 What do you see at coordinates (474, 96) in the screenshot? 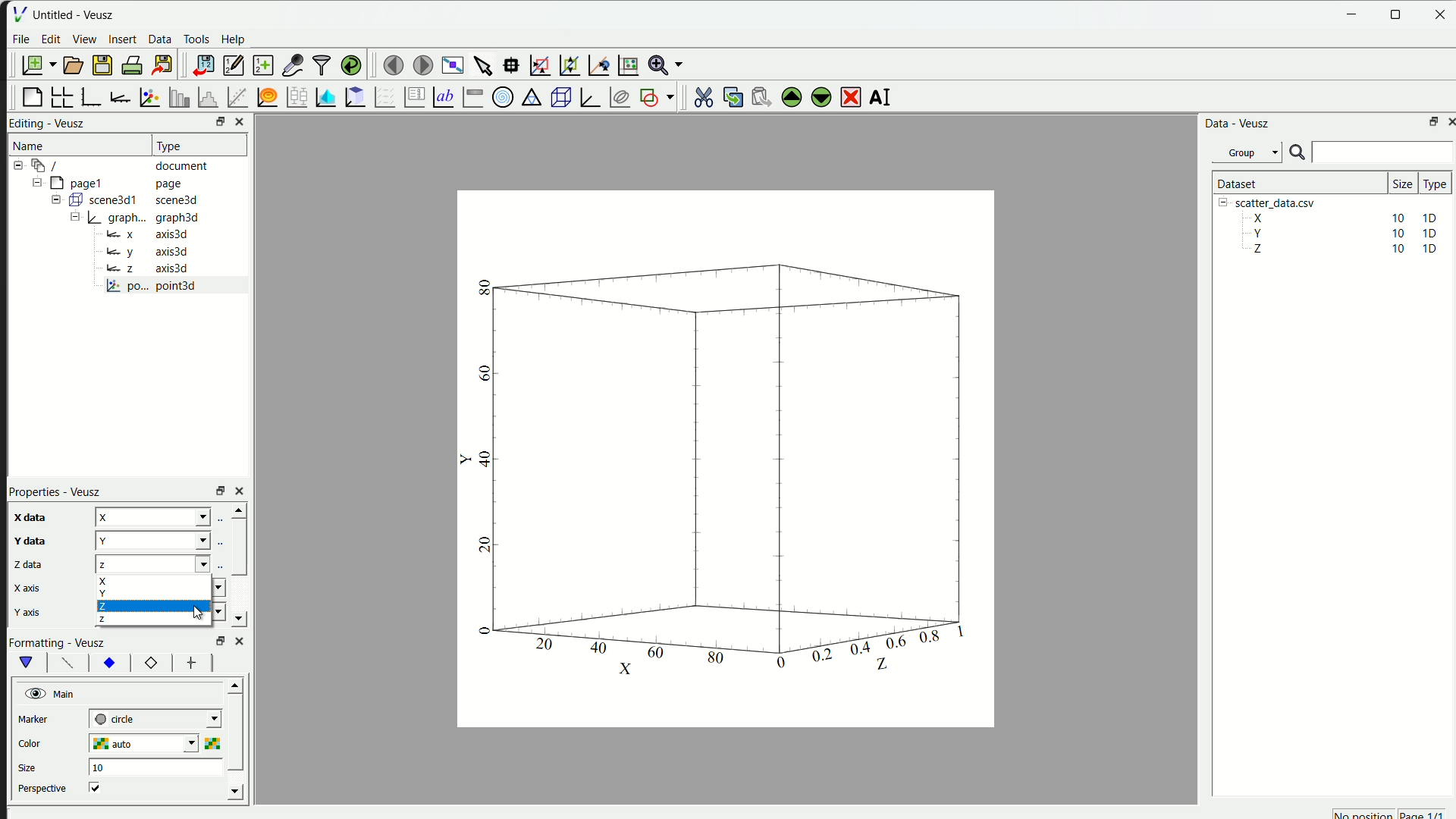
I see `Image color bar` at bounding box center [474, 96].